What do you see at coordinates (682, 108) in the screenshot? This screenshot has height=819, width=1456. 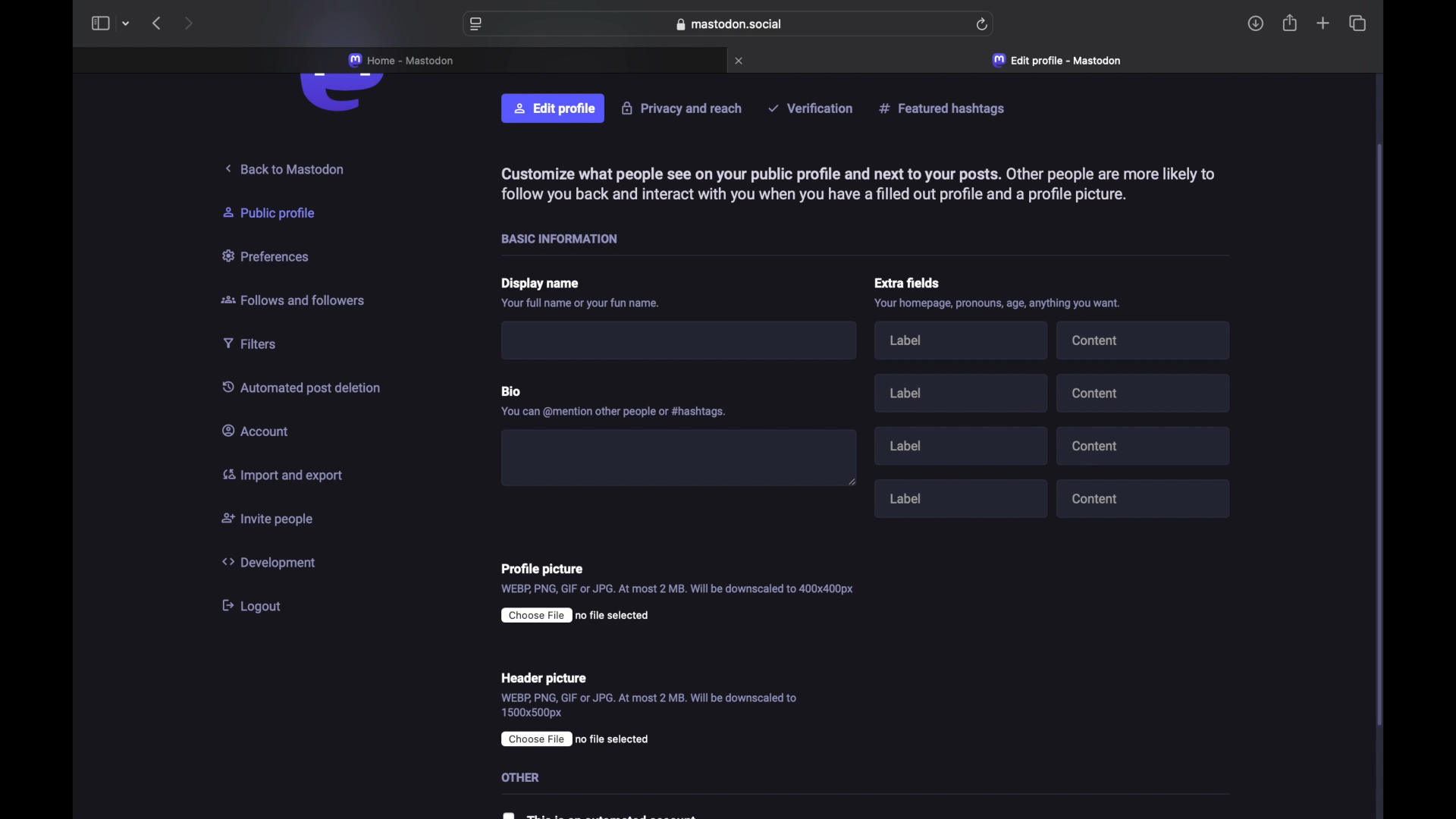 I see `privacy and reach` at bounding box center [682, 108].